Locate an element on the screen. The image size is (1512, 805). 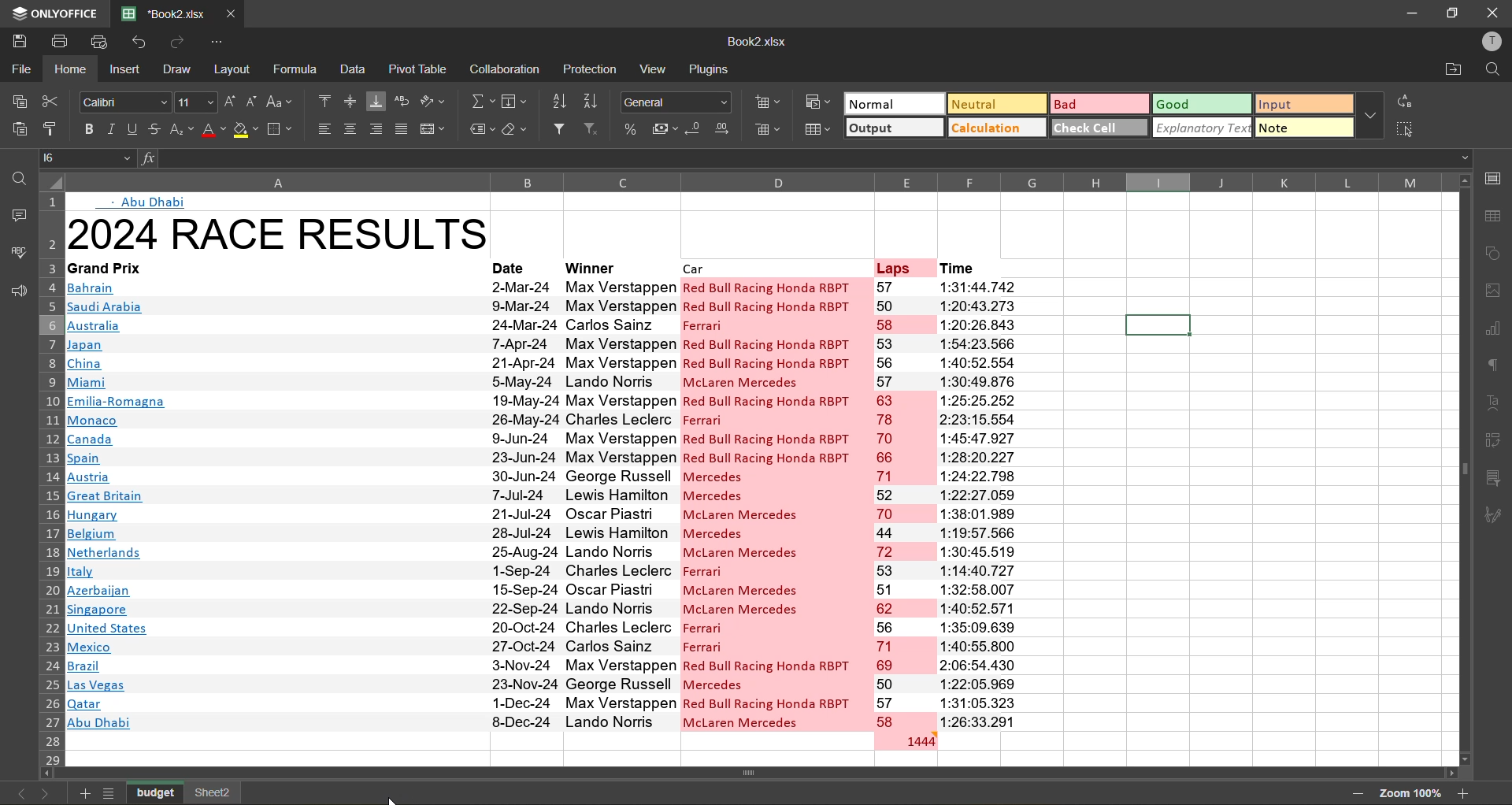
slicer is located at coordinates (1493, 477).